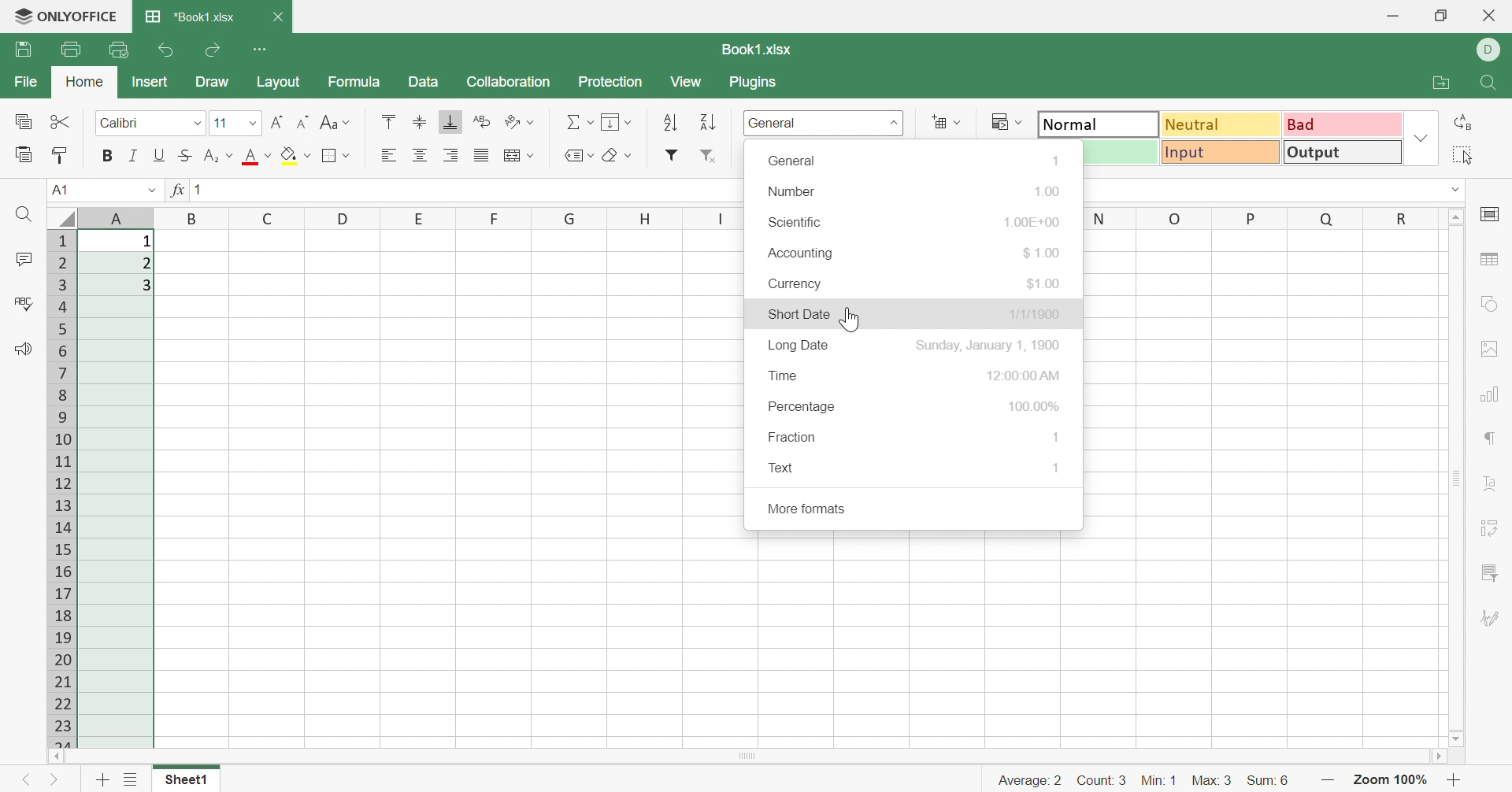 The image size is (1512, 792). Describe the element at coordinates (802, 405) in the screenshot. I see `Percentage` at that location.